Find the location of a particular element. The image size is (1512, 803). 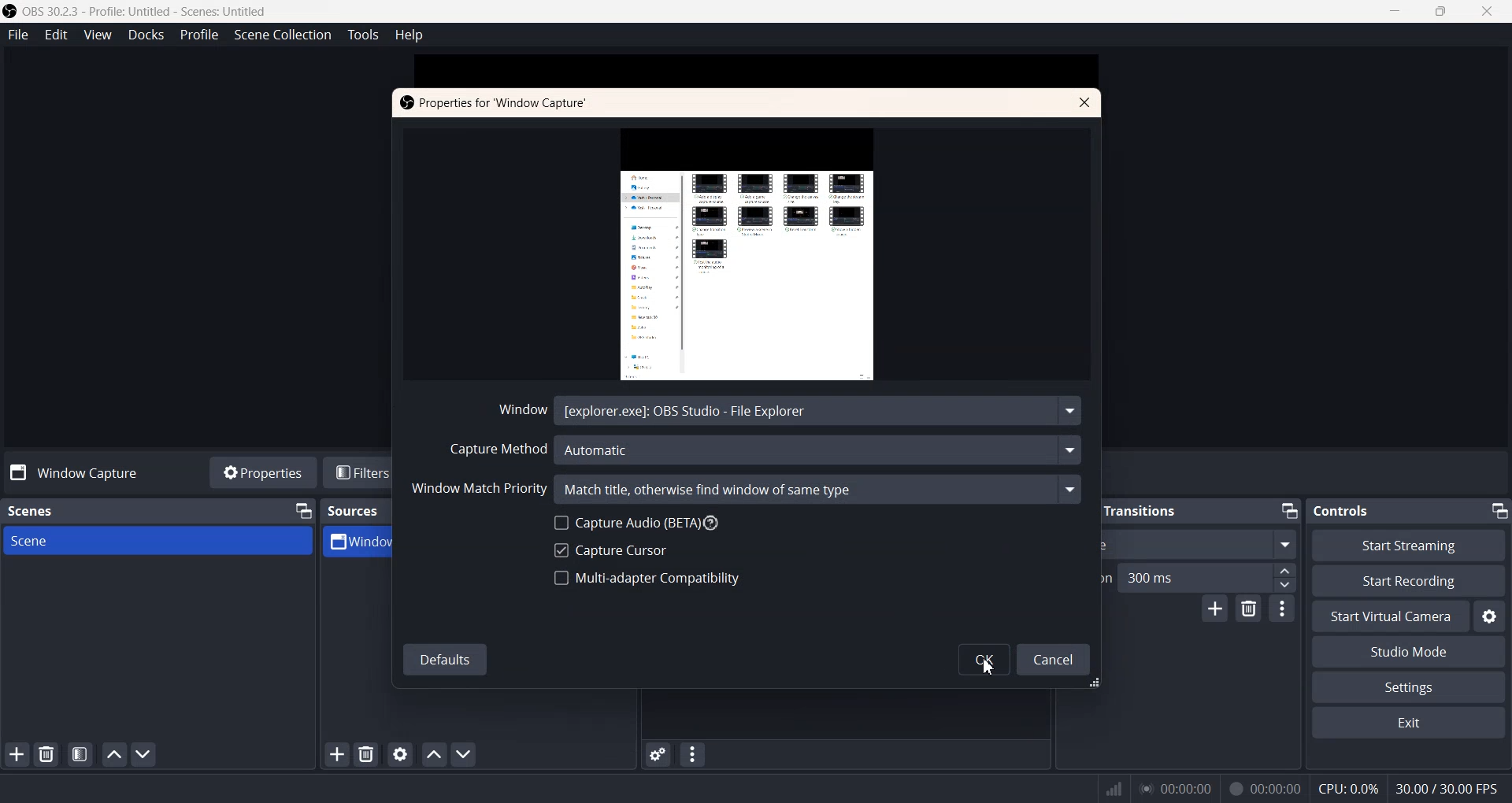

Capture Audio (BETA) is located at coordinates (638, 522).